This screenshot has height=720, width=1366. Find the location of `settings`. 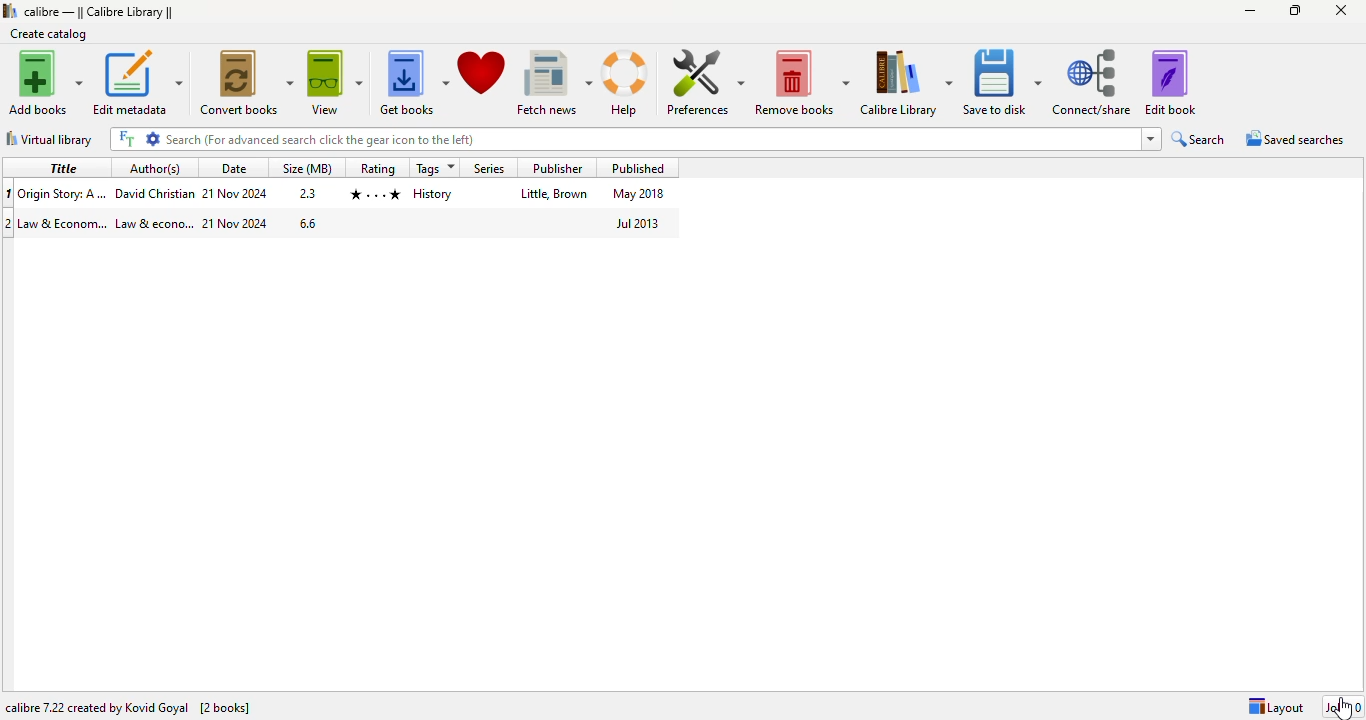

settings is located at coordinates (151, 138).